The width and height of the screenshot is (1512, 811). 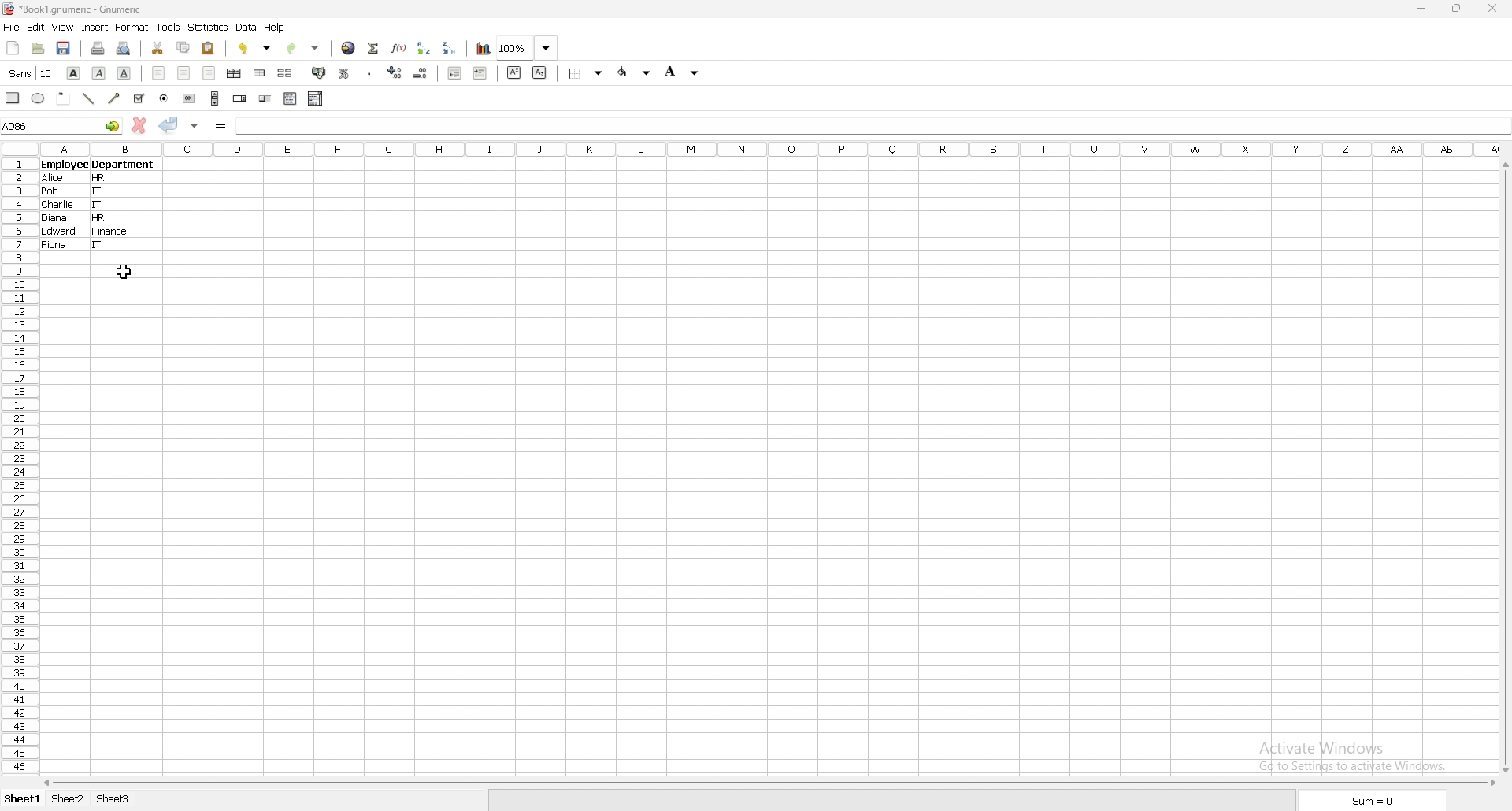 I want to click on hr, so click(x=102, y=179).